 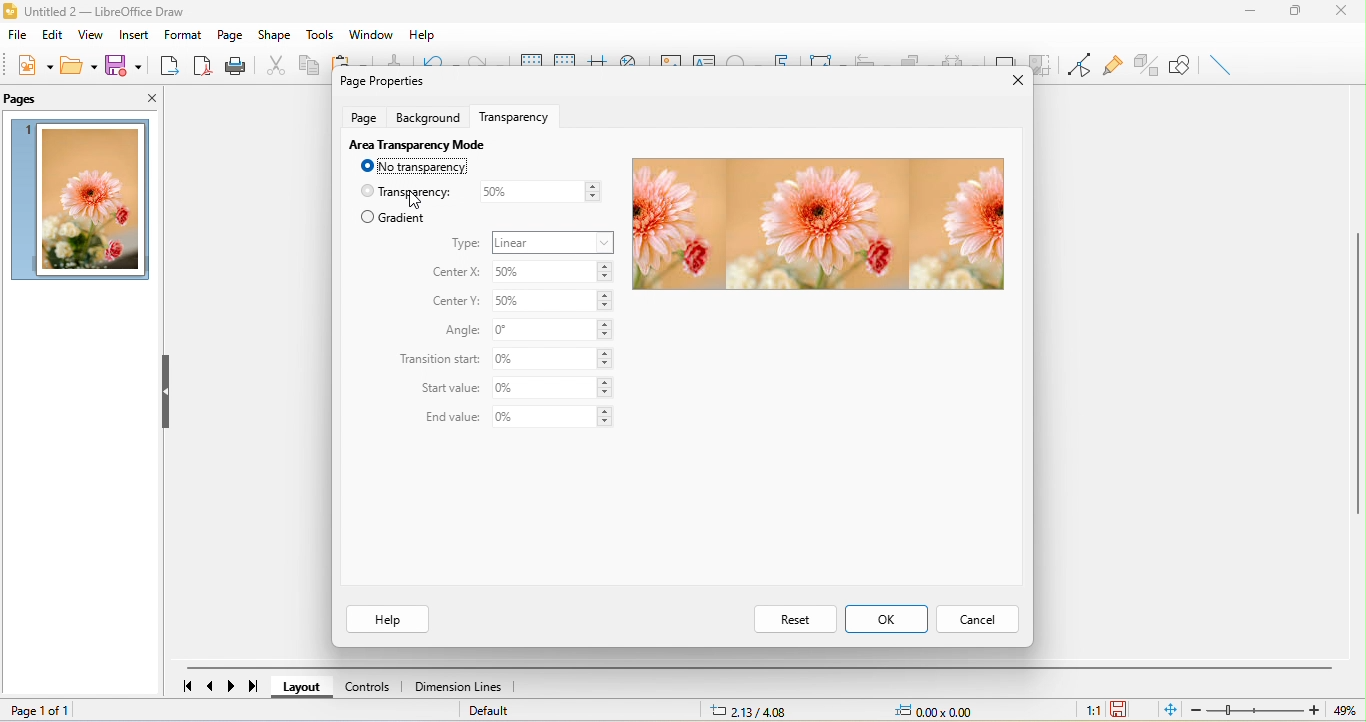 What do you see at coordinates (520, 114) in the screenshot?
I see `transparency` at bounding box center [520, 114].